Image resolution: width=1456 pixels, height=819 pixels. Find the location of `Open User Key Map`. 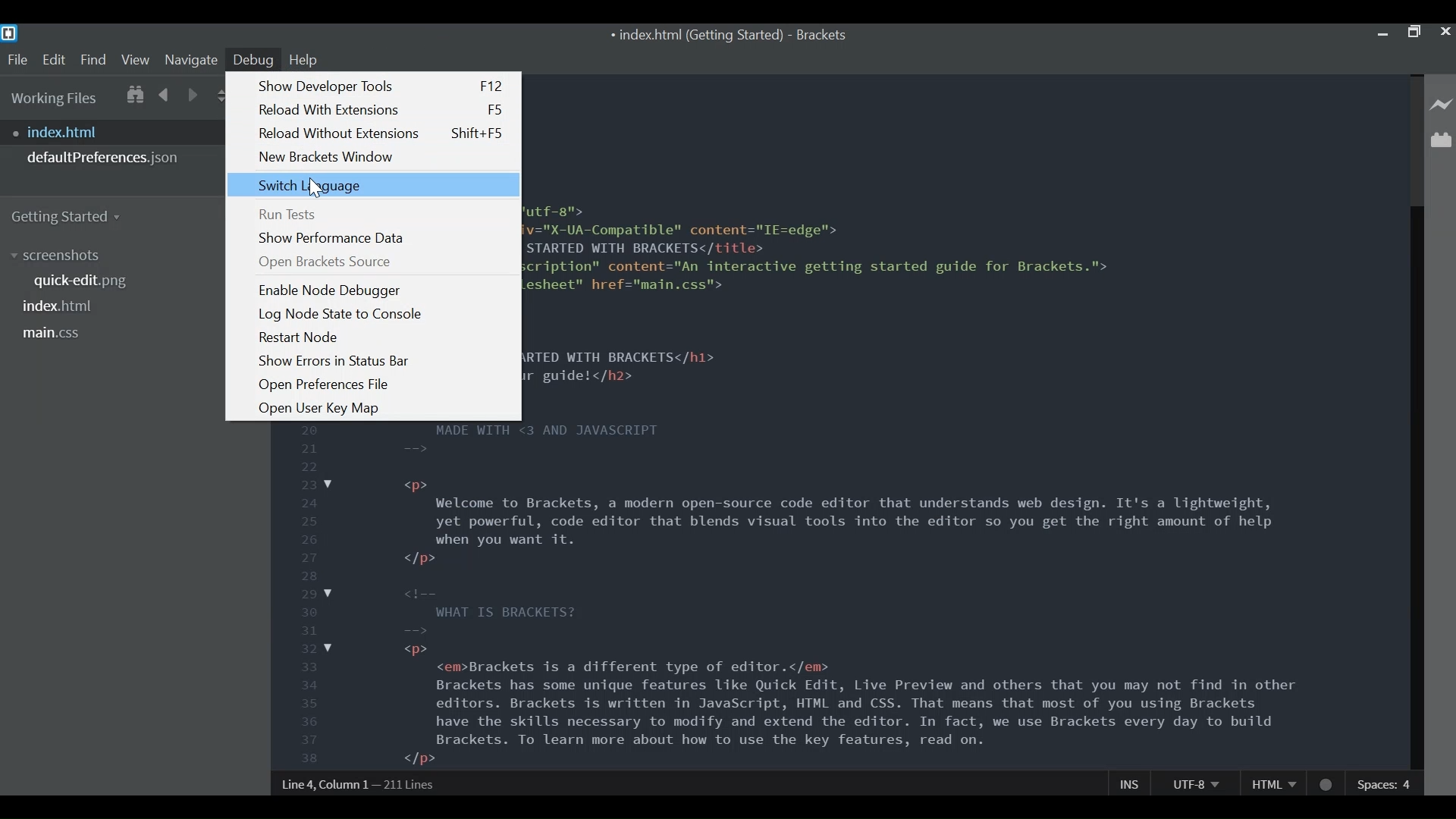

Open User Key Map is located at coordinates (322, 410).